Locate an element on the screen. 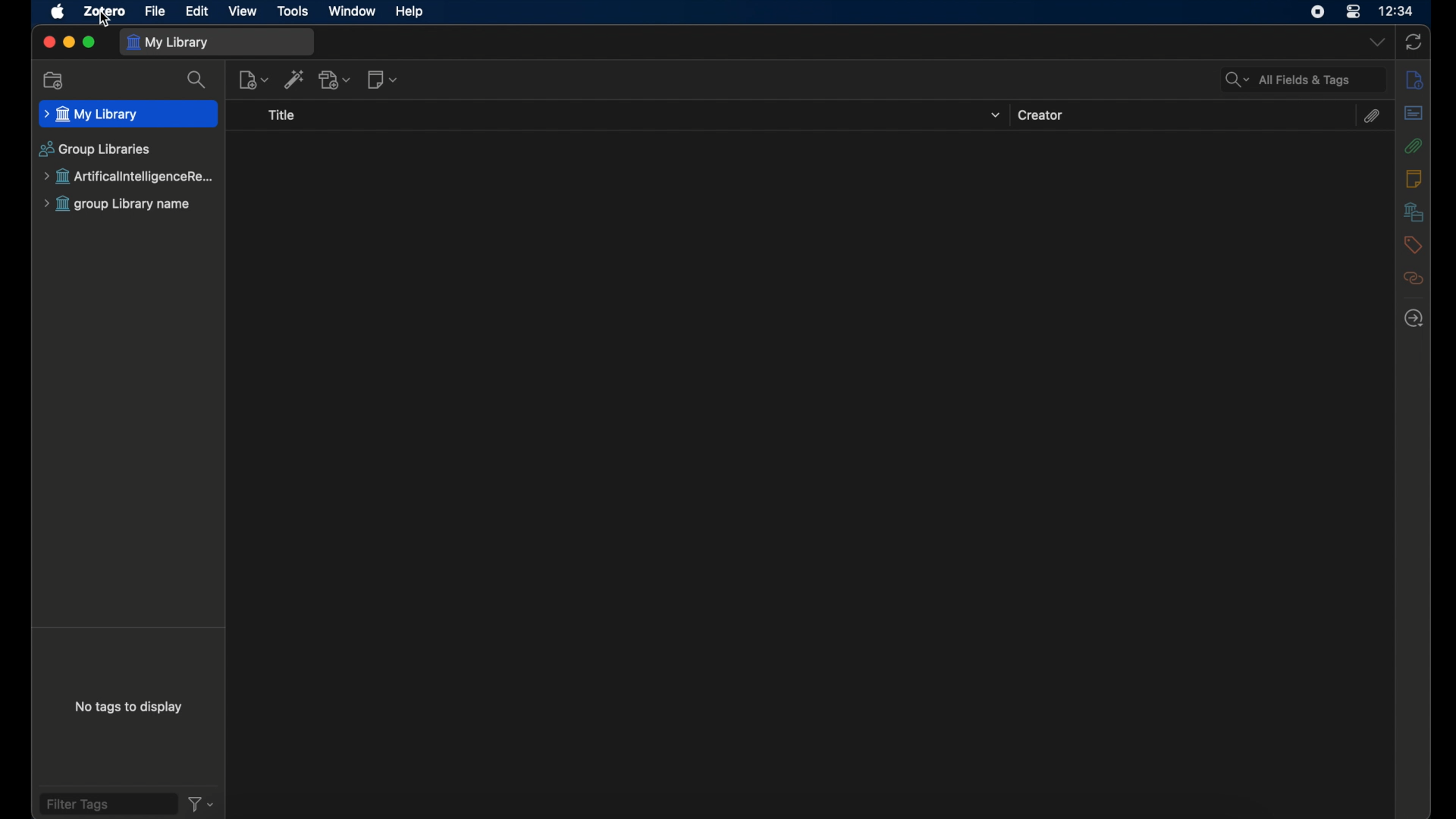 The height and width of the screenshot is (819, 1456). cursor is located at coordinates (105, 23).